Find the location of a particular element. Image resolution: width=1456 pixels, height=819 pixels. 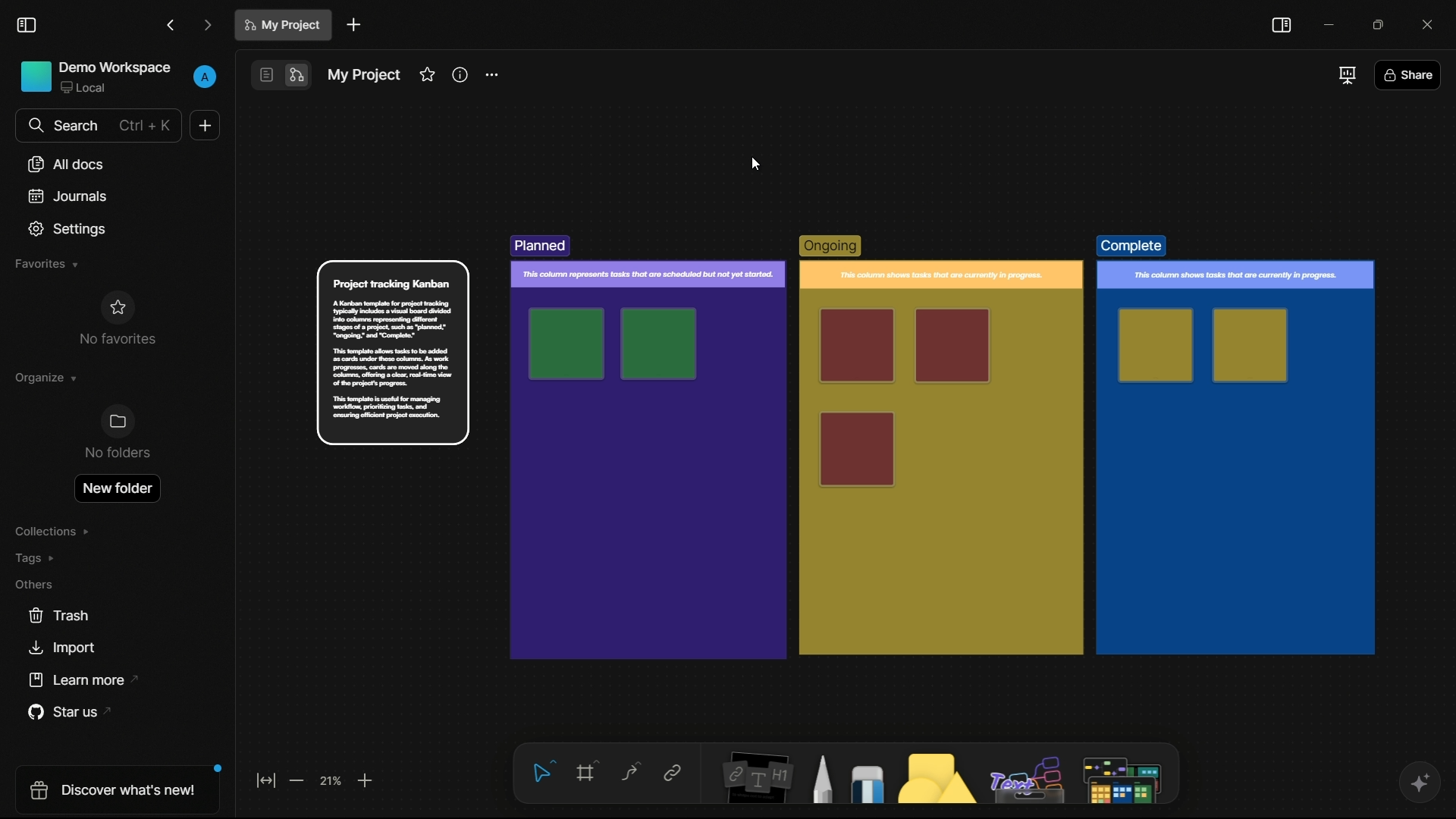

new folder is located at coordinates (116, 488).